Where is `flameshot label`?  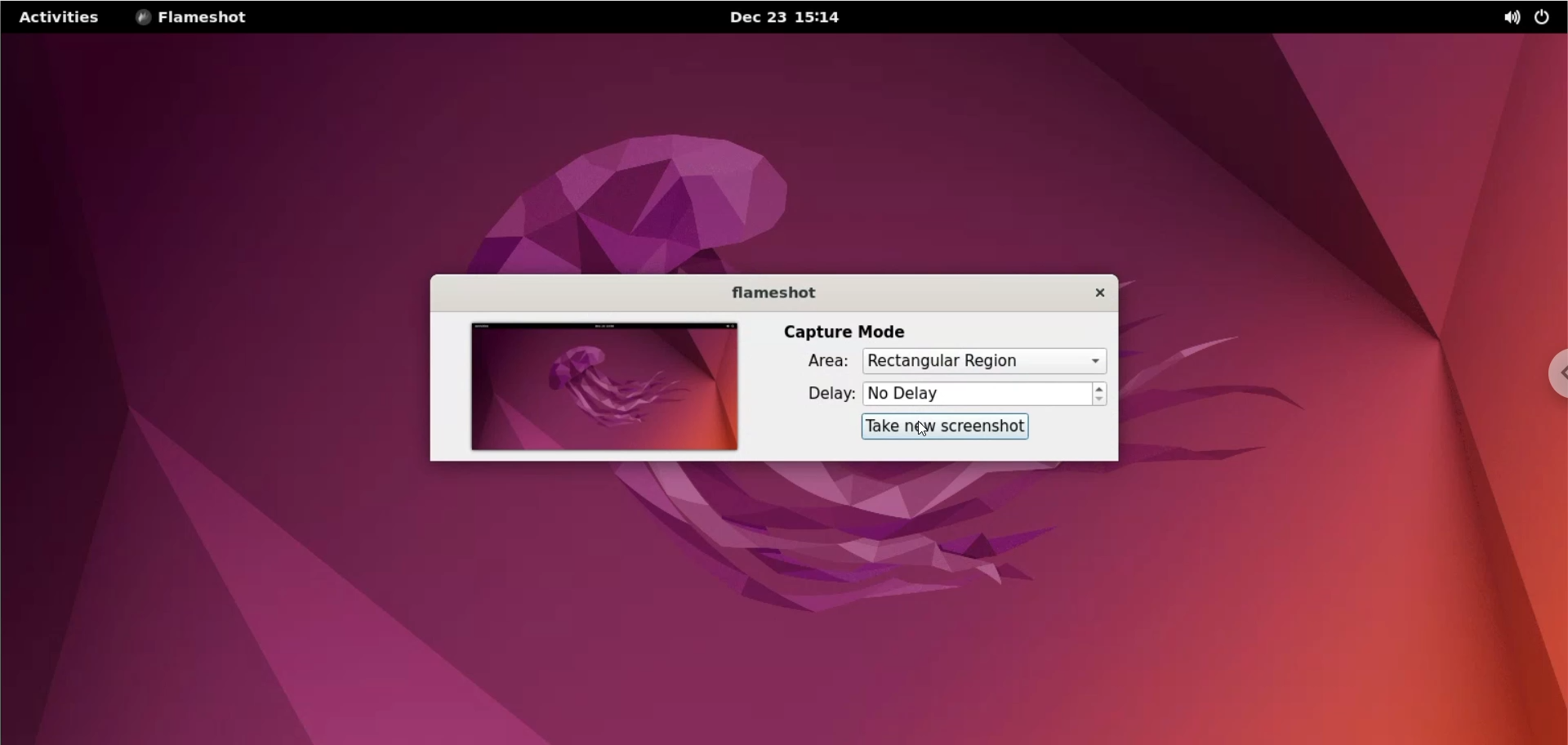
flameshot label is located at coordinates (775, 289).